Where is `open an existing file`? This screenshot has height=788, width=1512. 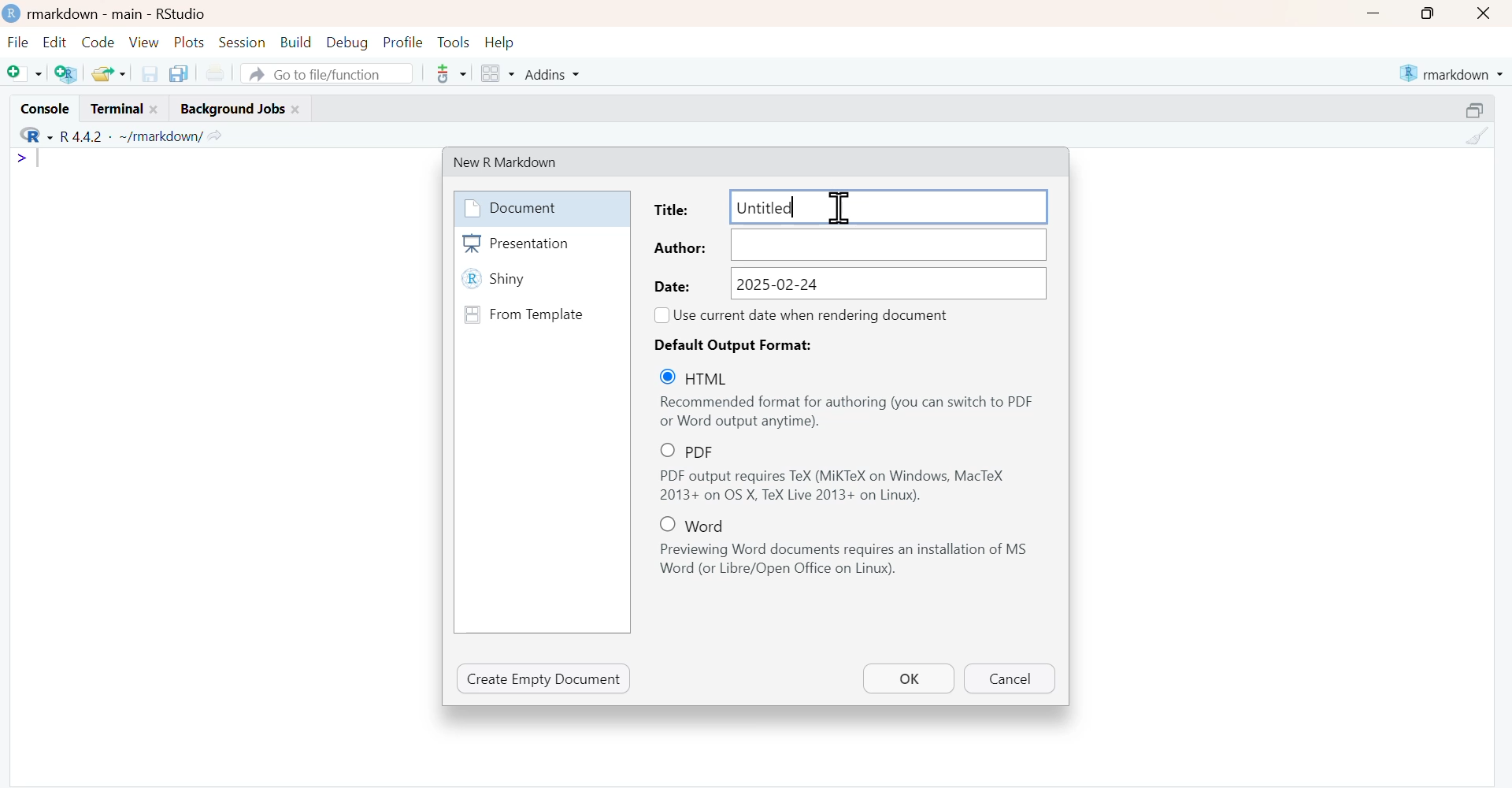
open an existing file is located at coordinates (108, 72).